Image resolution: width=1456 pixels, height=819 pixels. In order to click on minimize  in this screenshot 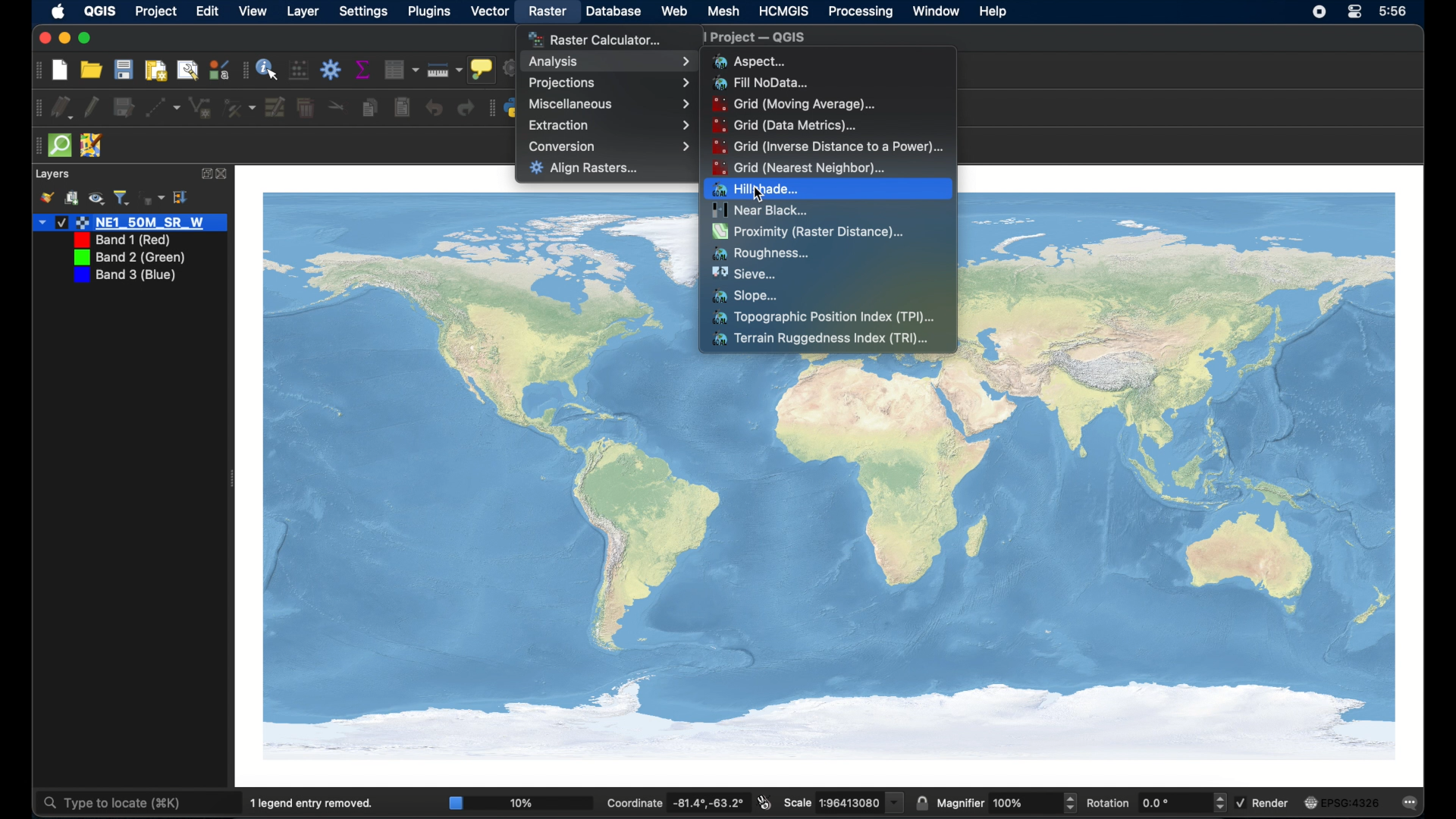, I will do `click(61, 39)`.